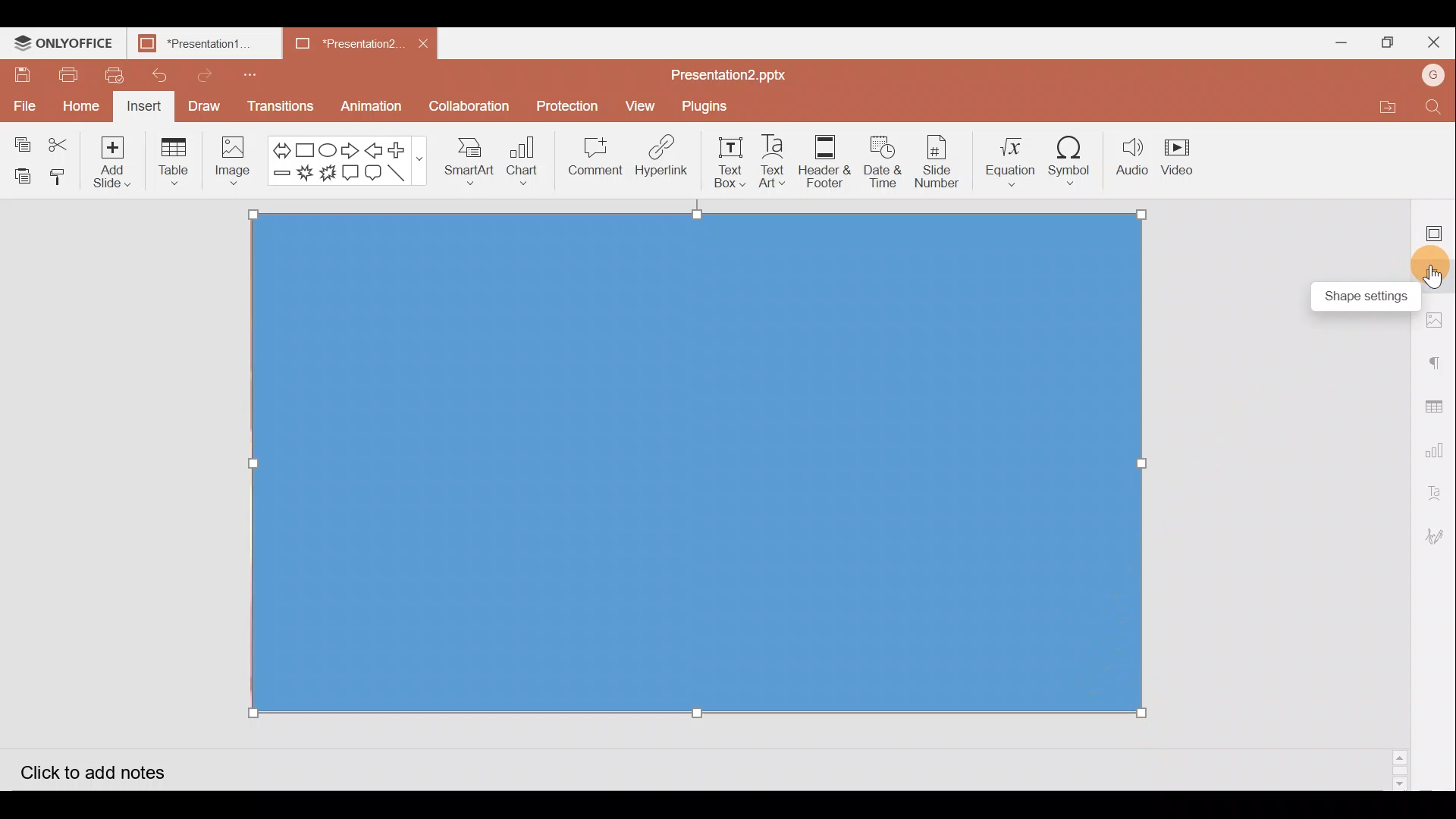  I want to click on Date & time, so click(883, 161).